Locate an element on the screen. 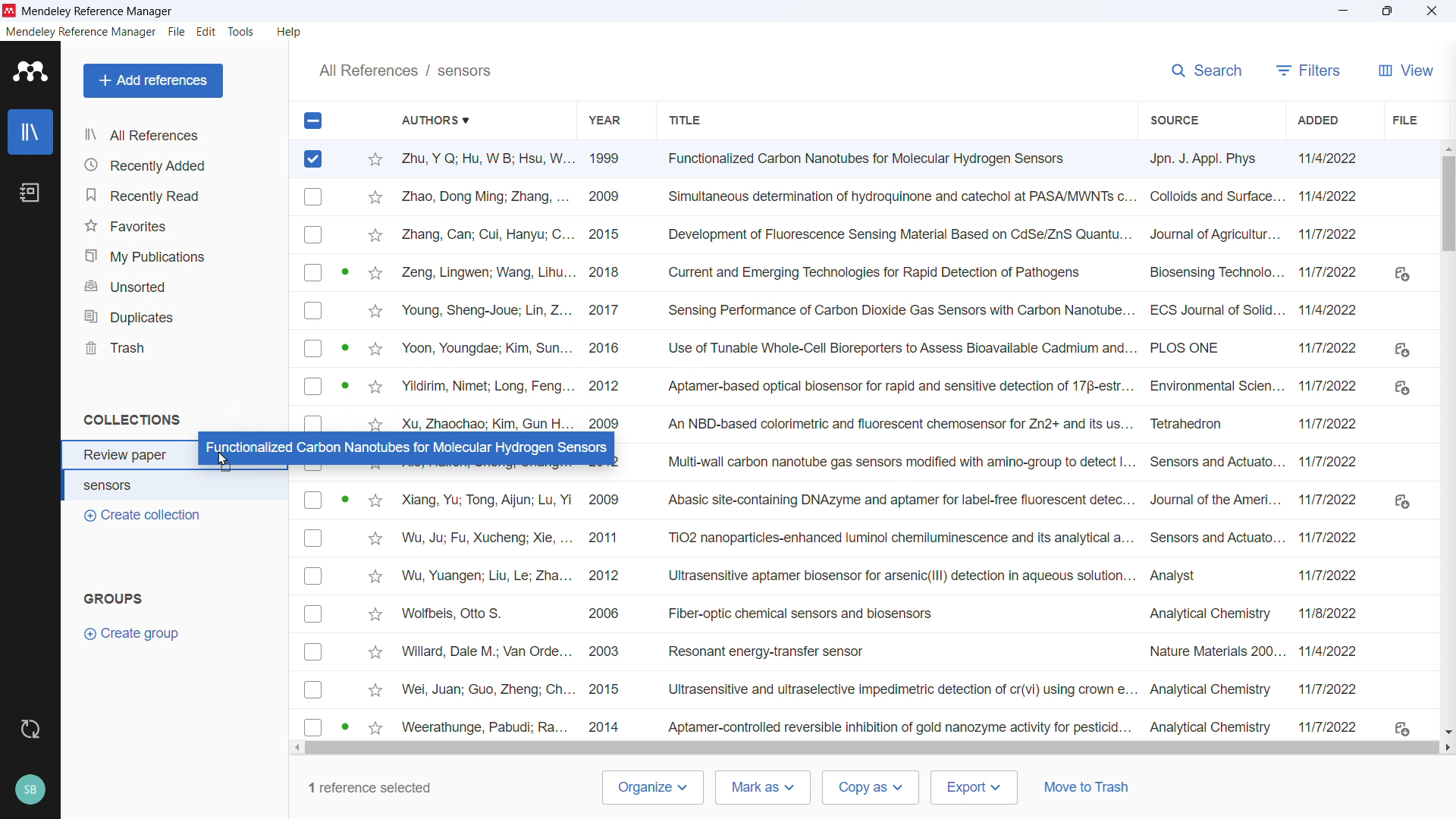 Image resolution: width=1456 pixels, height=819 pixels. PDF available is located at coordinates (344, 726).